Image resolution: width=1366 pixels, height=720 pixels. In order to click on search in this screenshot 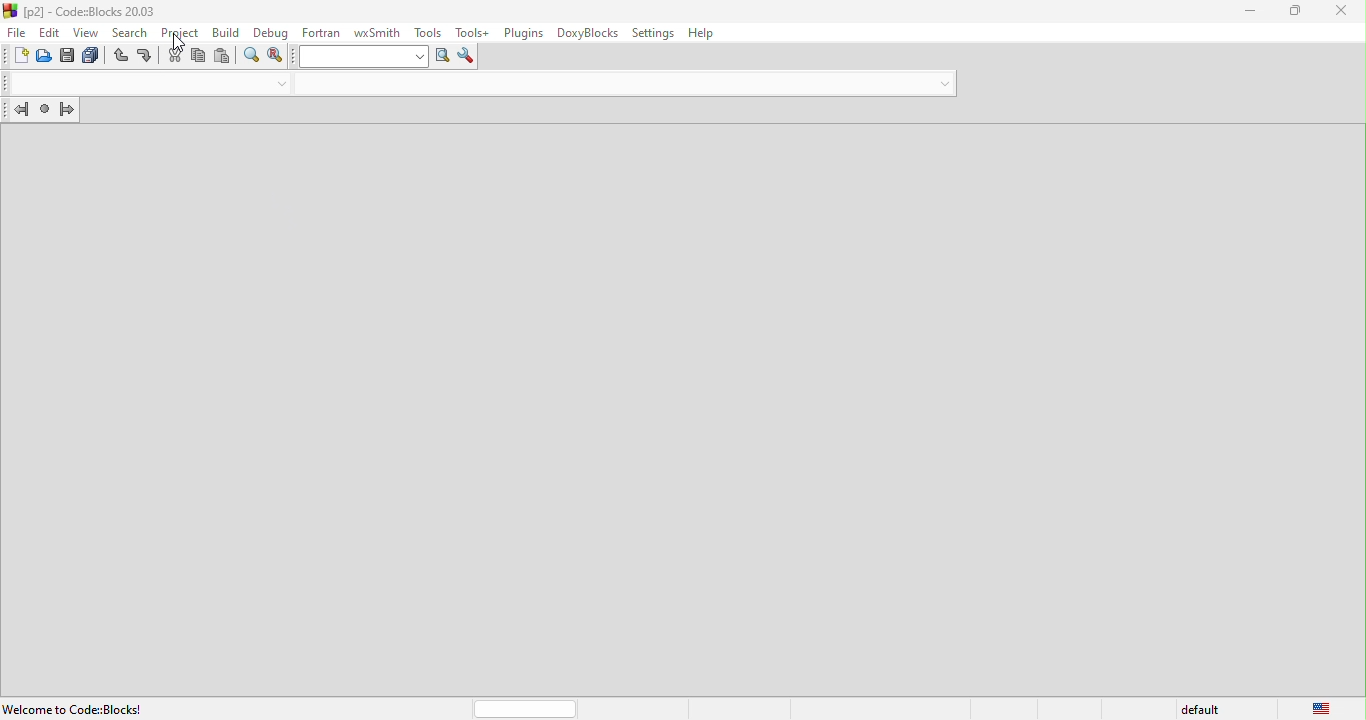, I will do `click(132, 31)`.